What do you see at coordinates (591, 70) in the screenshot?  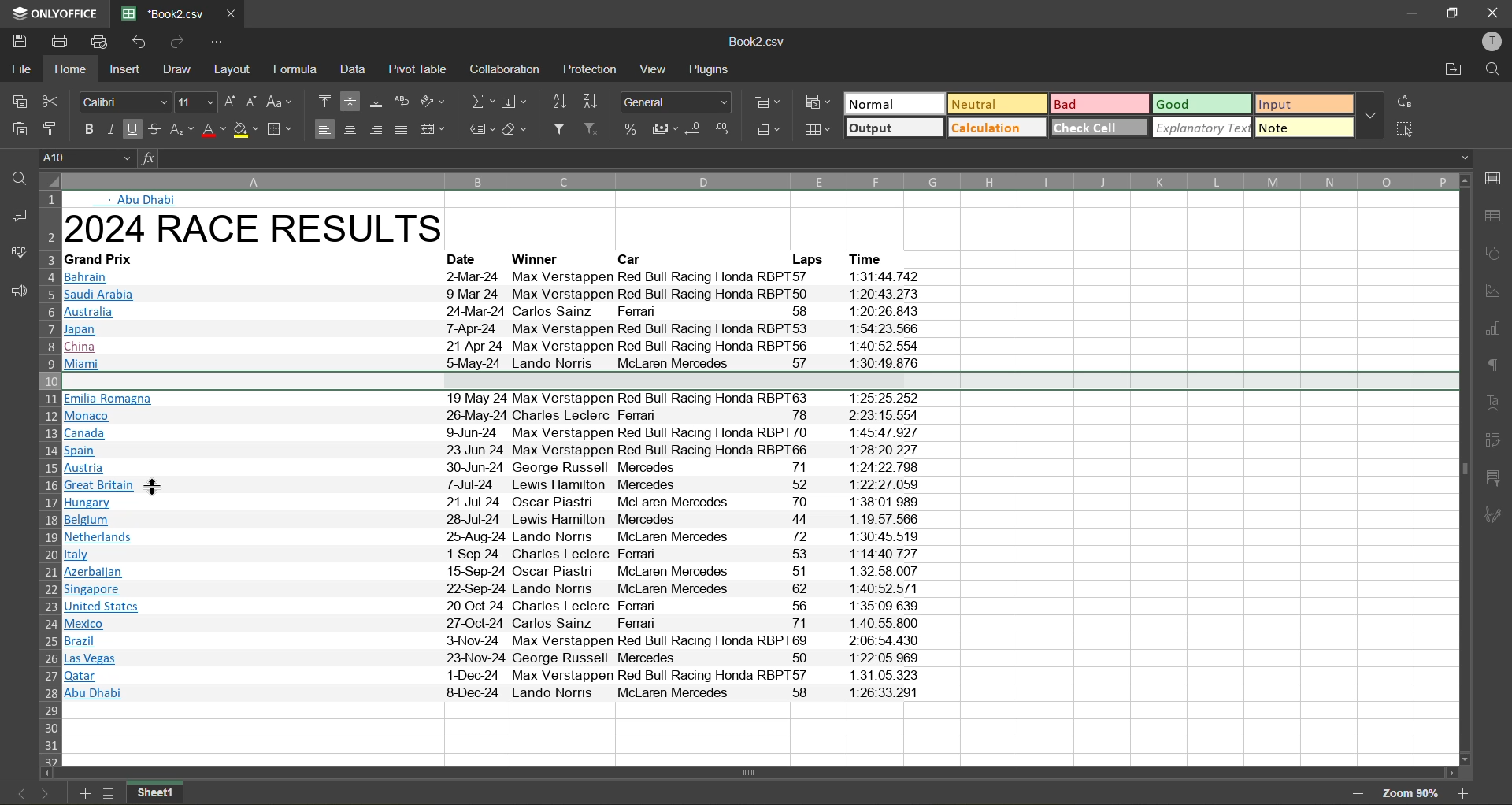 I see `protection` at bounding box center [591, 70].